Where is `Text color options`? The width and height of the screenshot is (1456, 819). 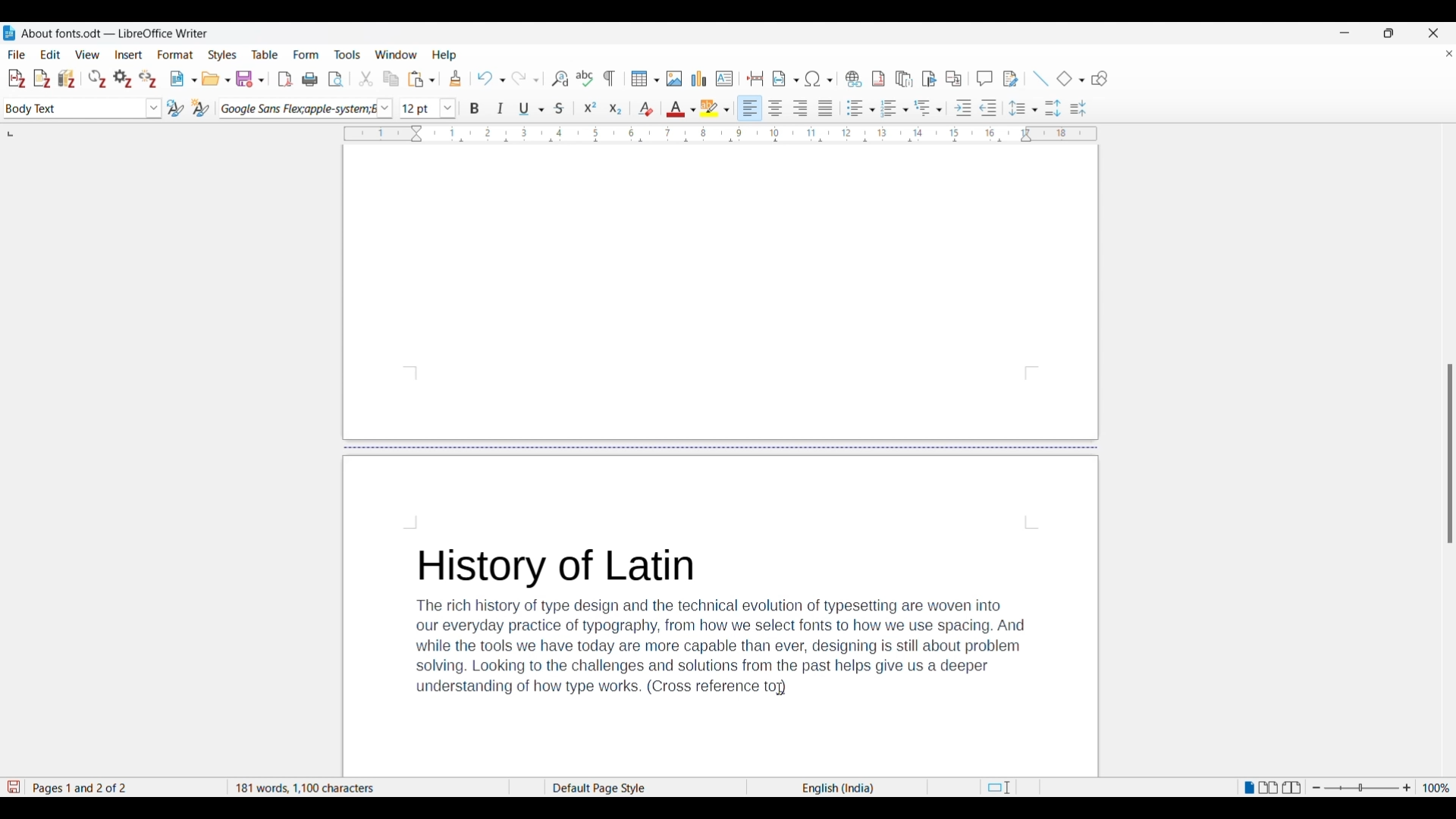 Text color options is located at coordinates (680, 109).